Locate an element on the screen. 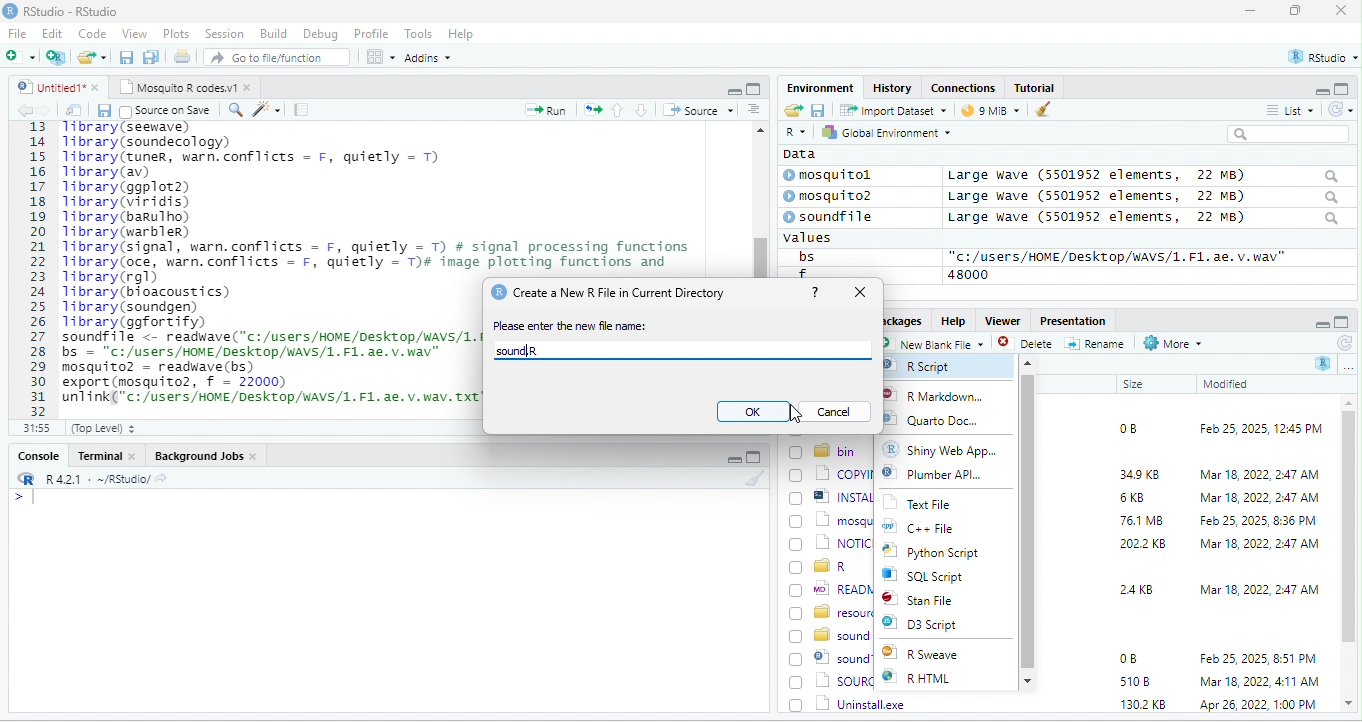  scroll bar is located at coordinates (1349, 554).